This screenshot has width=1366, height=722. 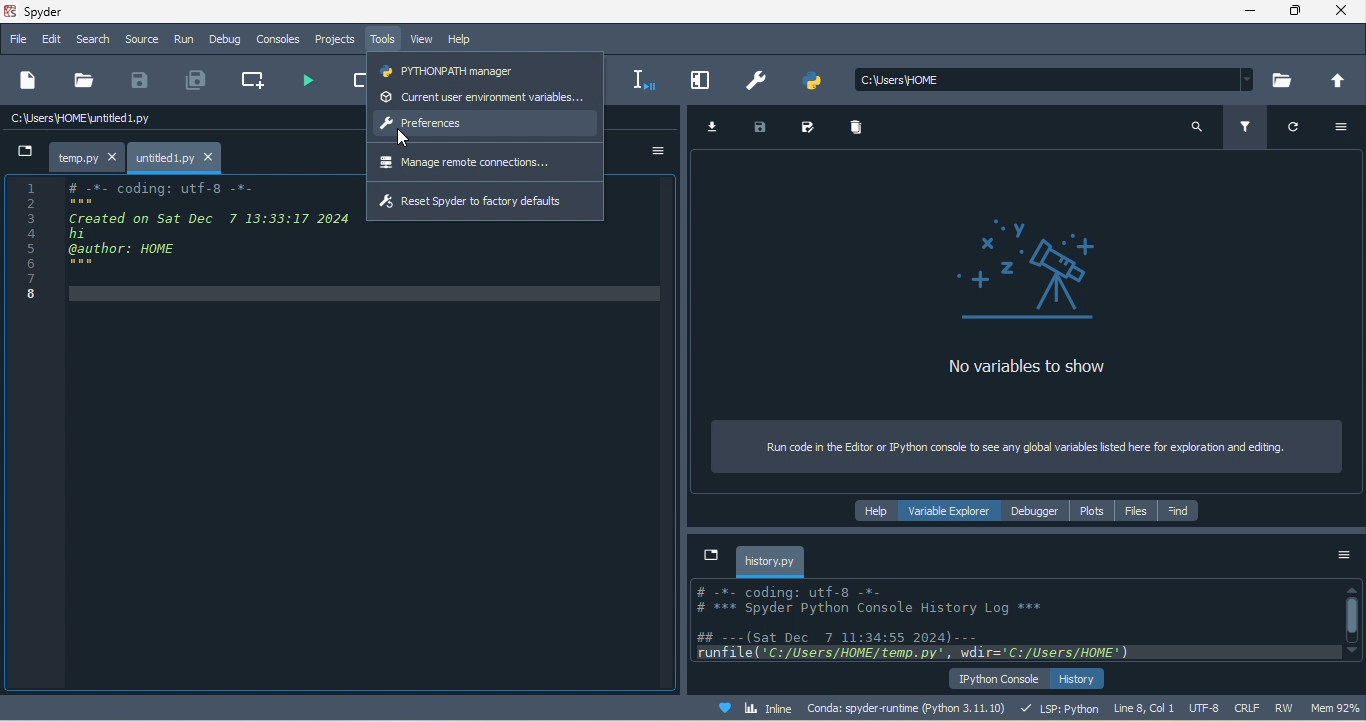 I want to click on c\users\home\untitled1, so click(x=115, y=121).